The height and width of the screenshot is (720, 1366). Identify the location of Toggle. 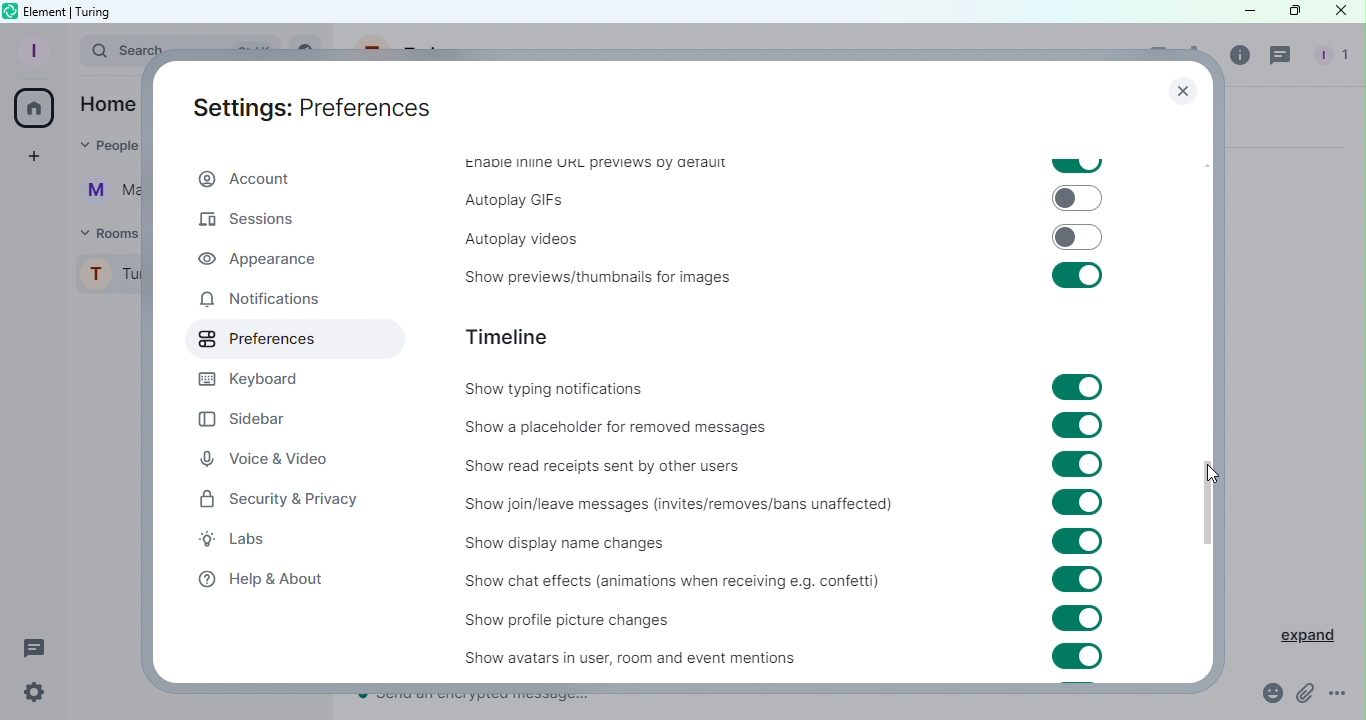
(1074, 276).